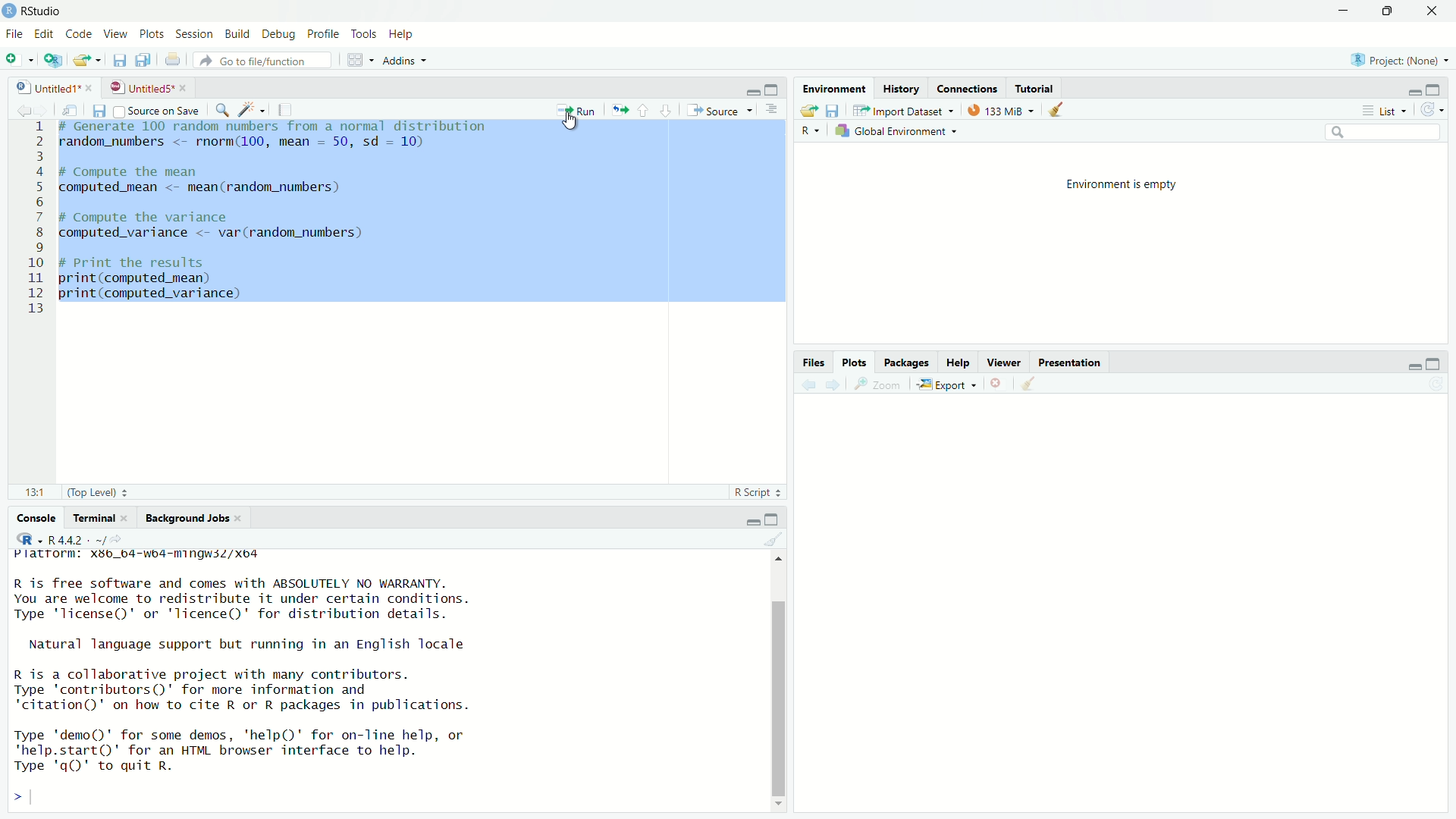 The image size is (1456, 819). Describe the element at coordinates (246, 519) in the screenshot. I see `close` at that location.